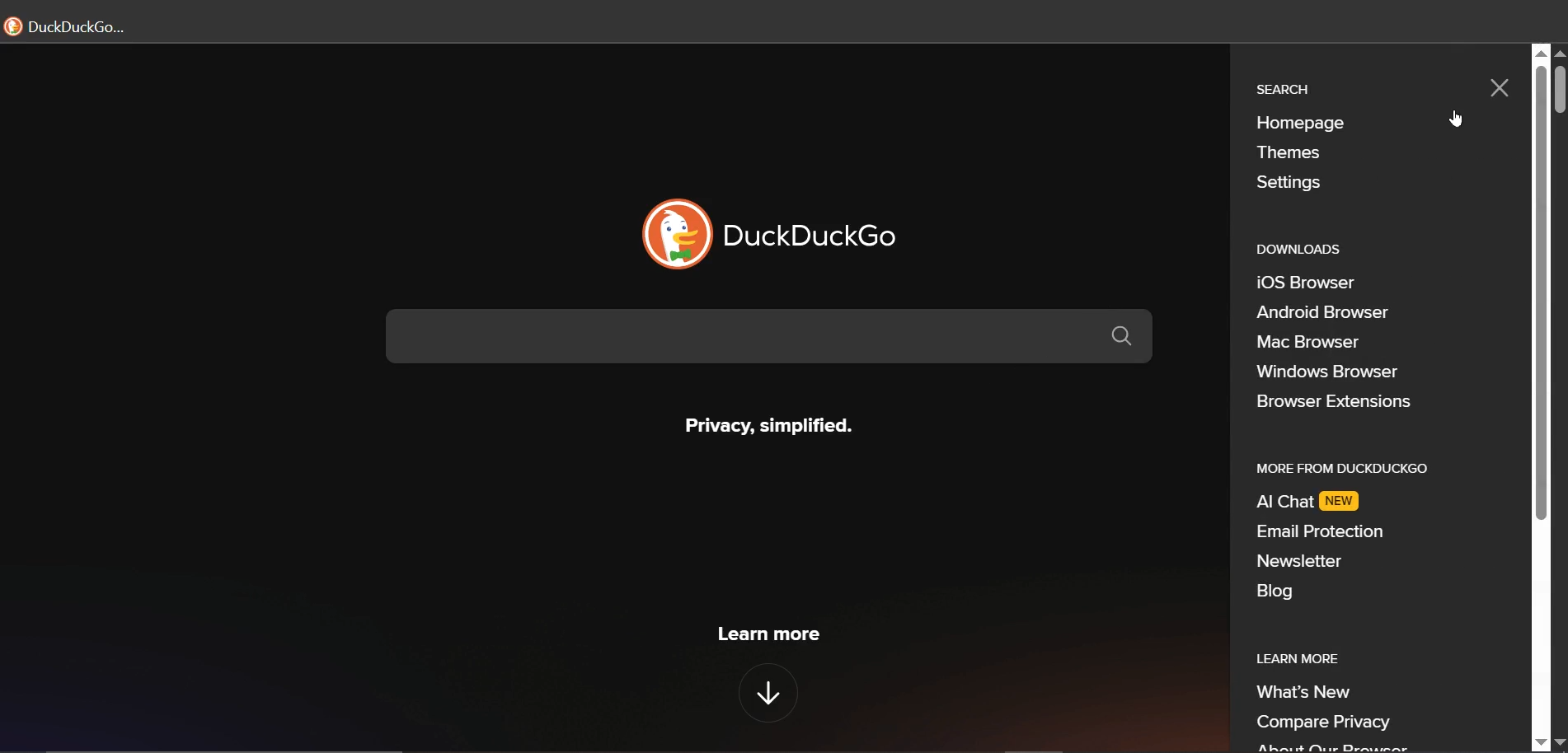 The image size is (1568, 753). I want to click on duckduckgo, so click(74, 26).